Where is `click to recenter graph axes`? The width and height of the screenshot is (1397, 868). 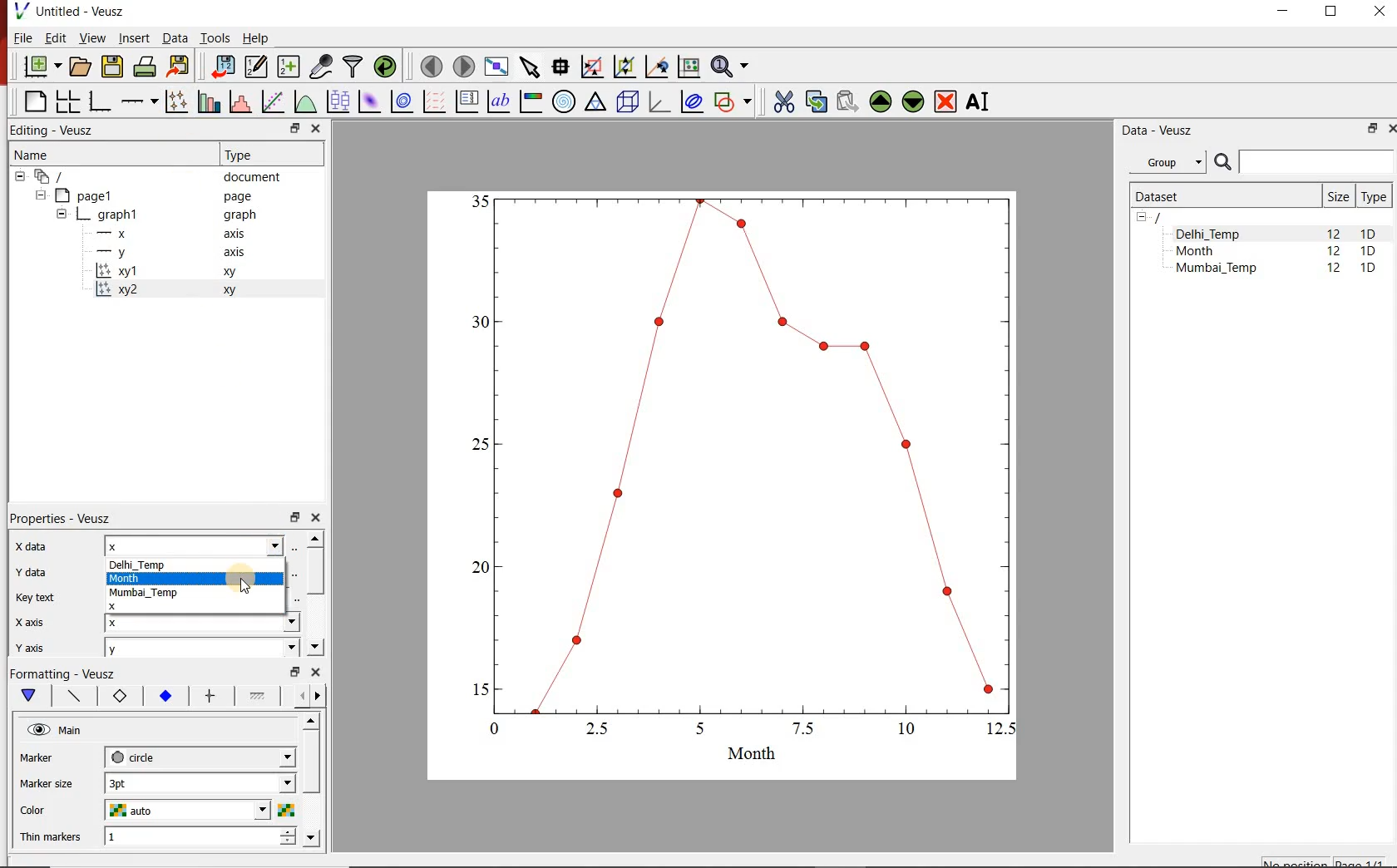 click to recenter graph axes is located at coordinates (656, 67).